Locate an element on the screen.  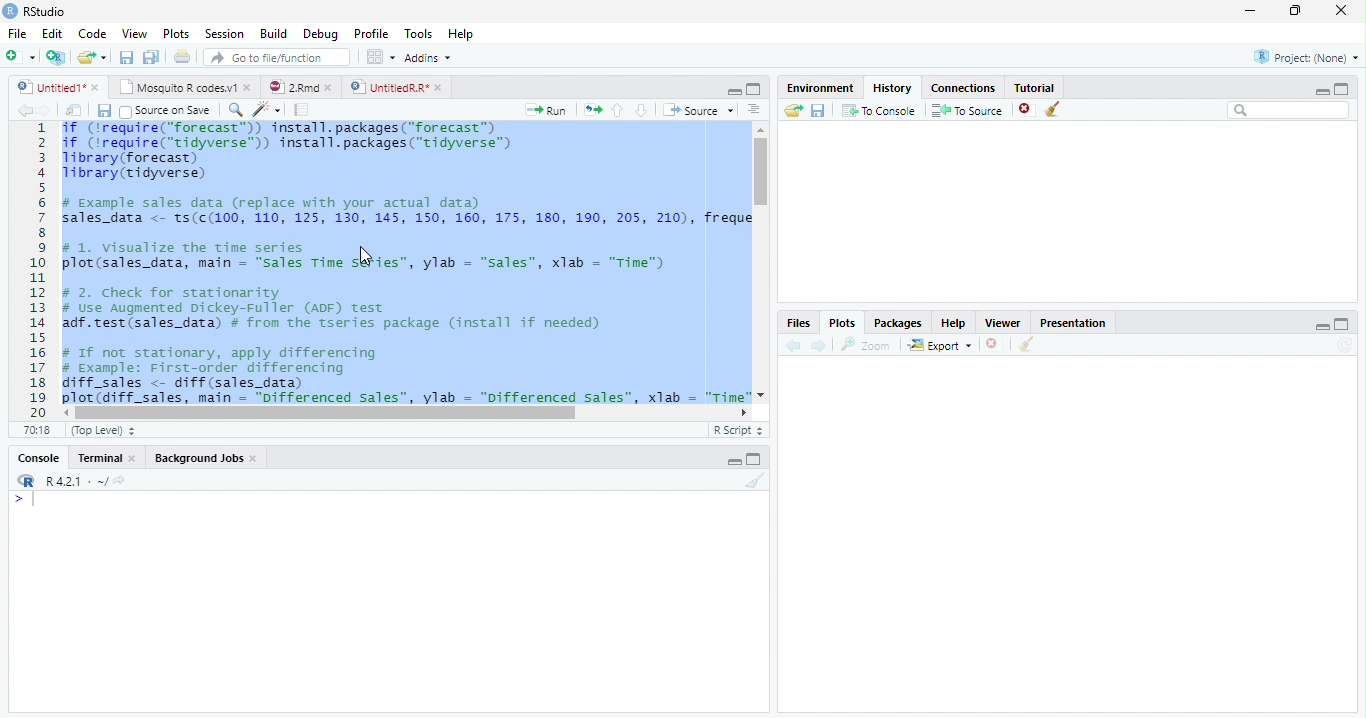
R Script is located at coordinates (737, 431).